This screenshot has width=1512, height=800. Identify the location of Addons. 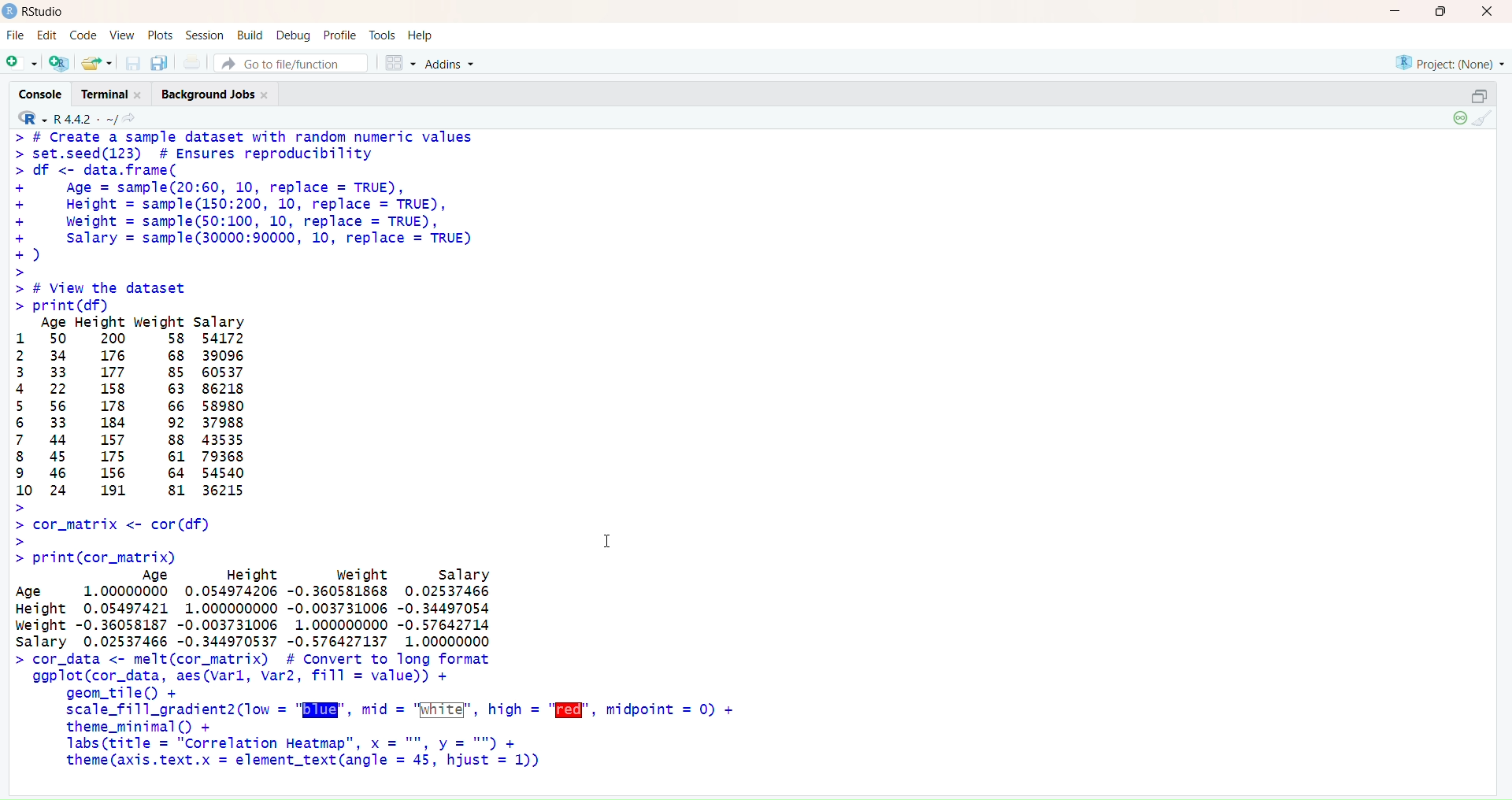
(453, 64).